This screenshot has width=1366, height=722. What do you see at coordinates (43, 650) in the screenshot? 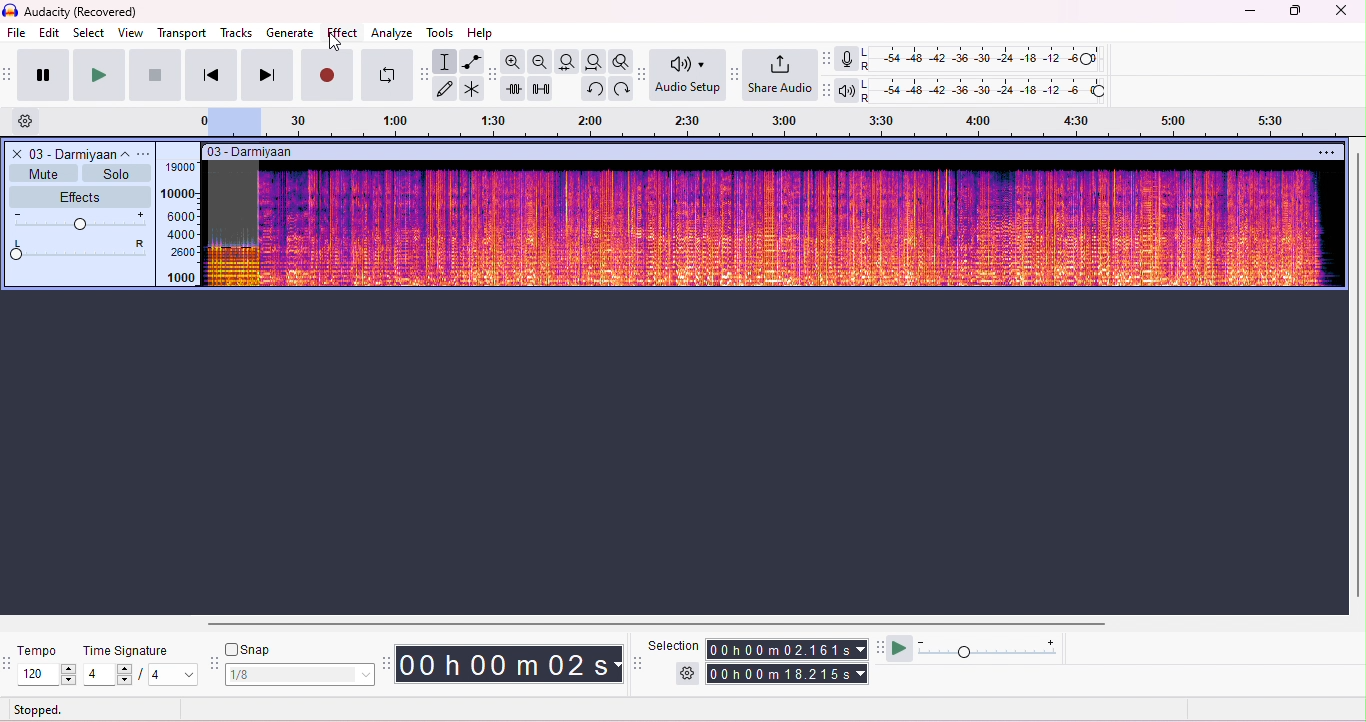
I see `tempo` at bounding box center [43, 650].